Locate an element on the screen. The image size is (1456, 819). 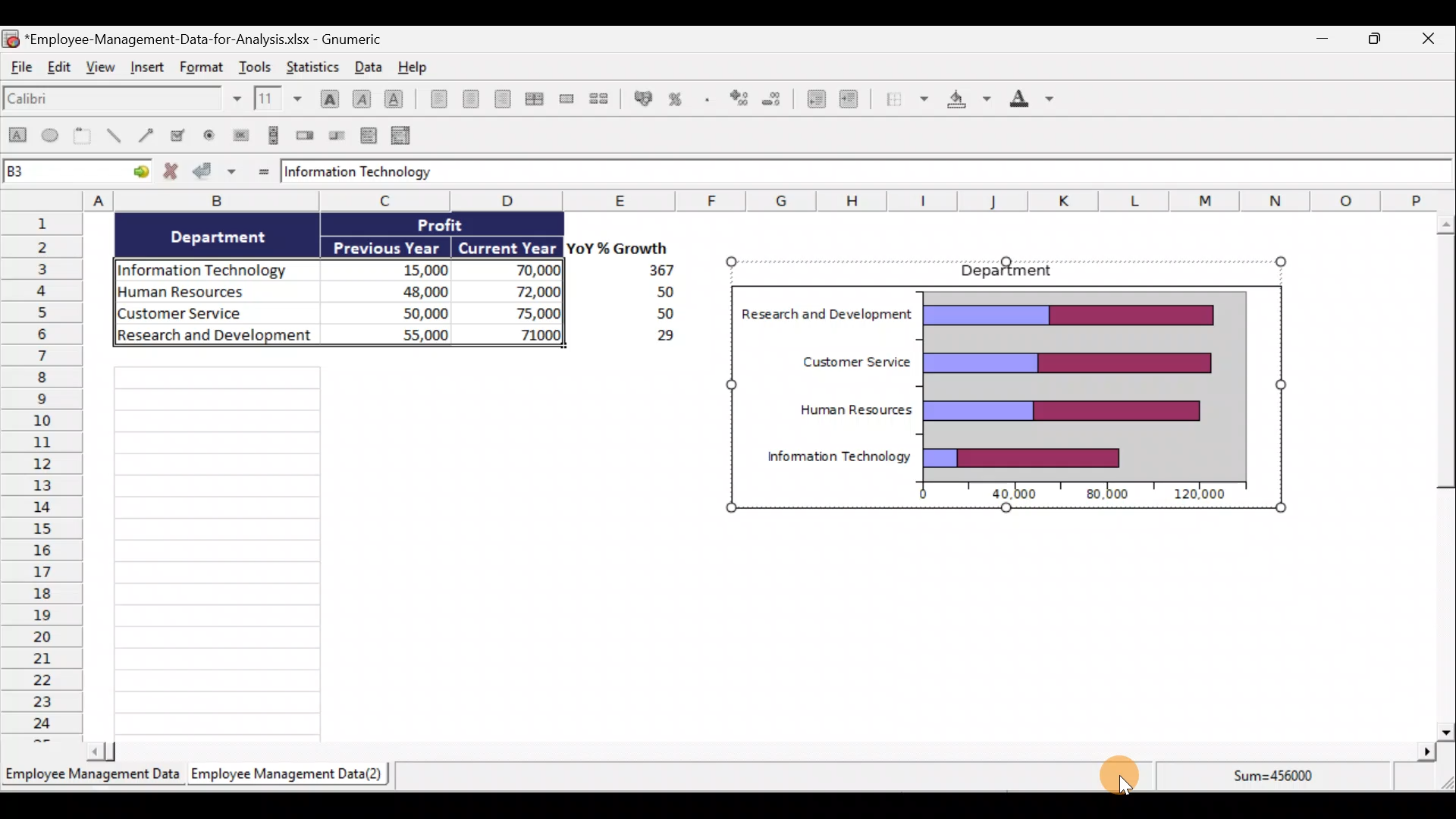
Sum=456000 is located at coordinates (1277, 783).